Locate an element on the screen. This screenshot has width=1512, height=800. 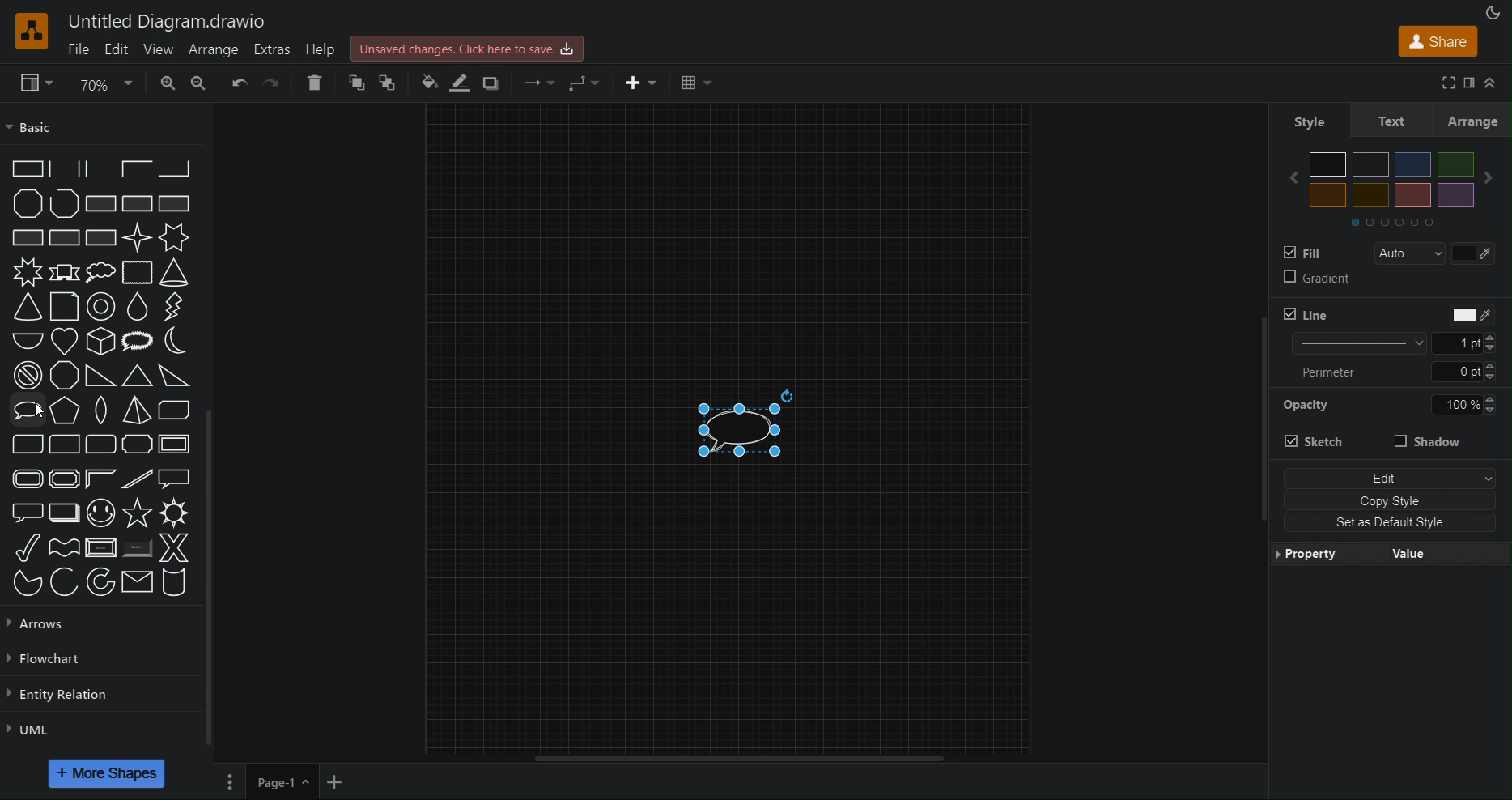
Basic is located at coordinates (36, 126).